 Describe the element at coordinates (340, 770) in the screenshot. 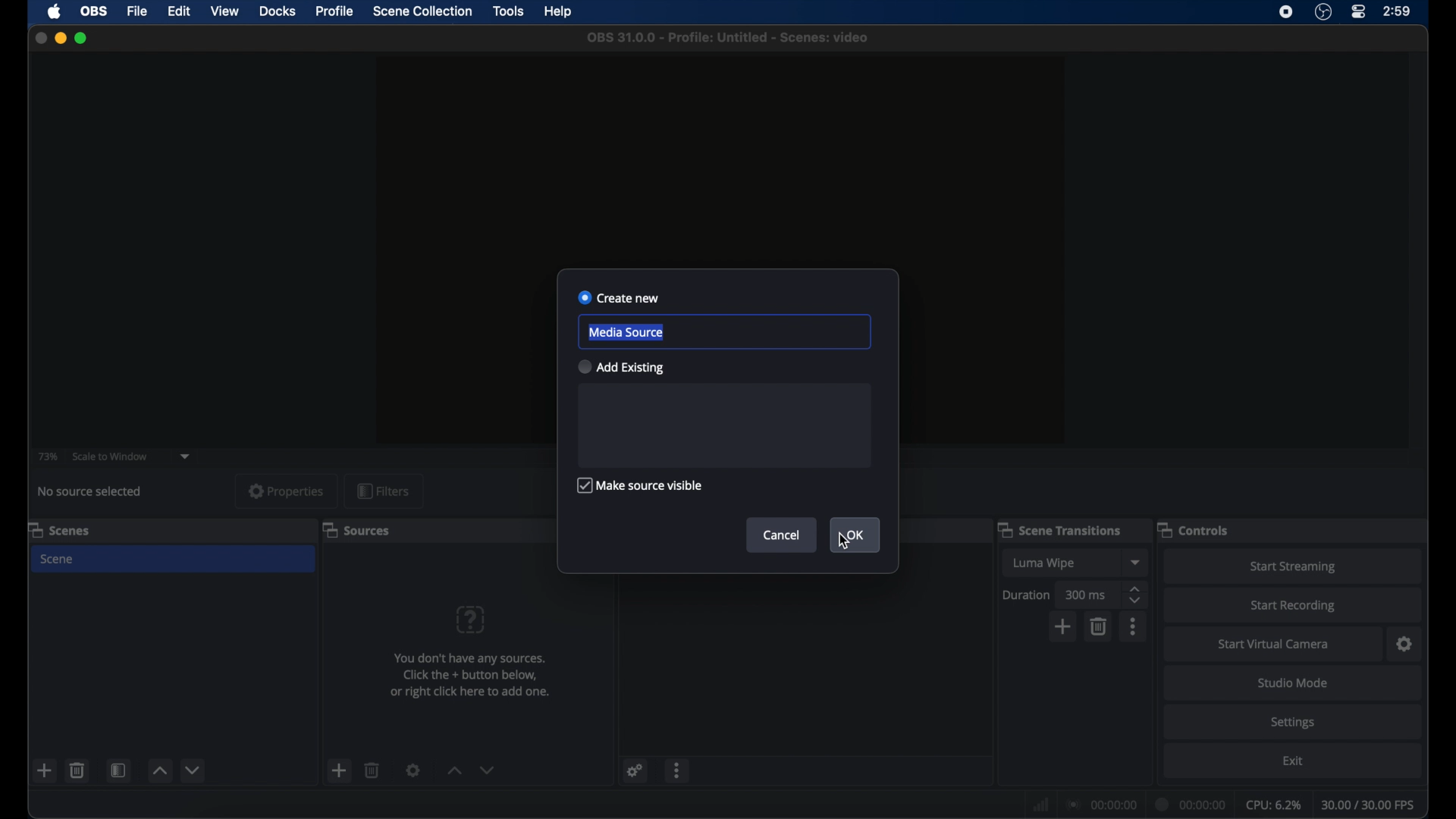

I see `add` at that location.